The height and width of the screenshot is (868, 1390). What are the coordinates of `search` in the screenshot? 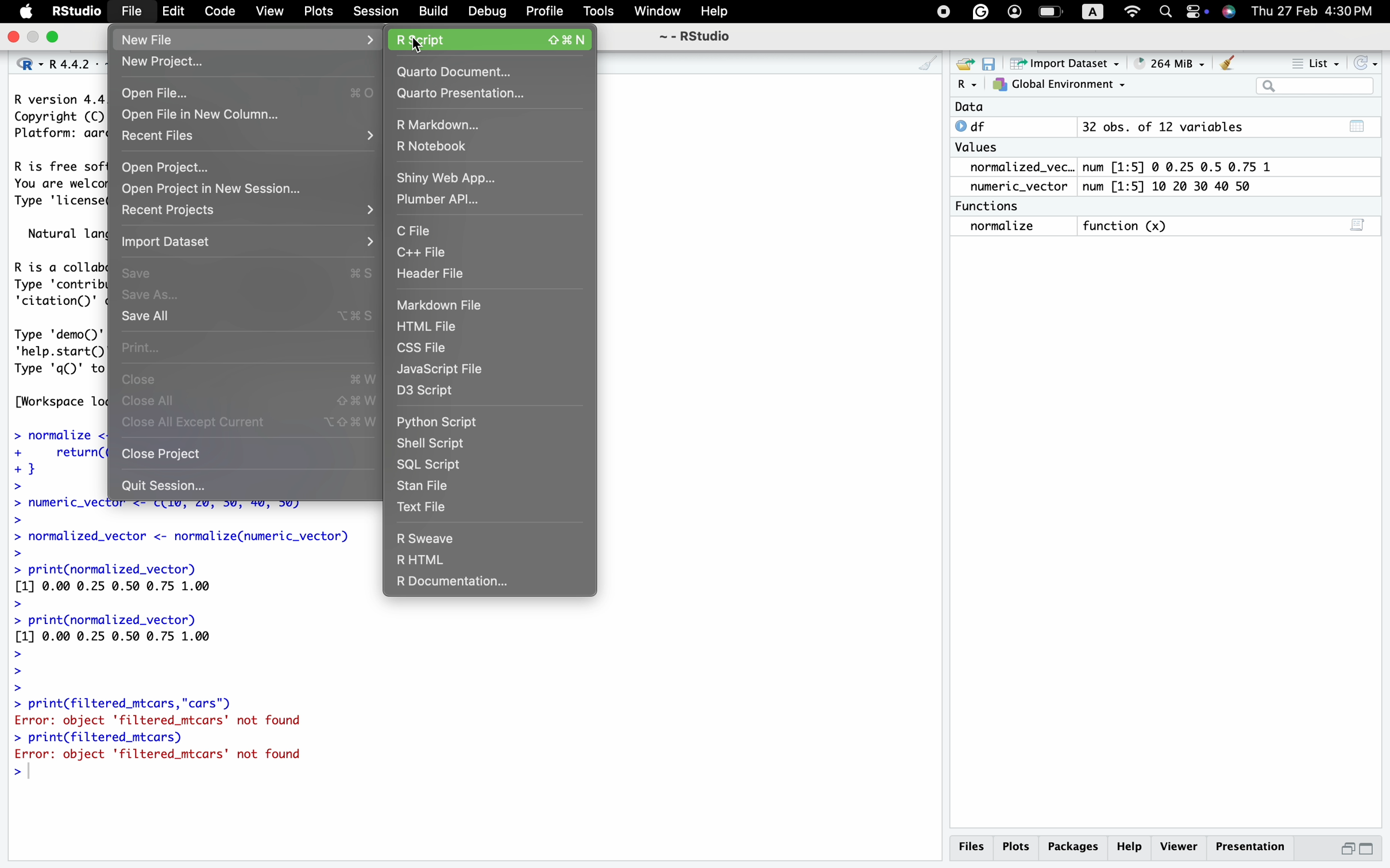 It's located at (1165, 13).